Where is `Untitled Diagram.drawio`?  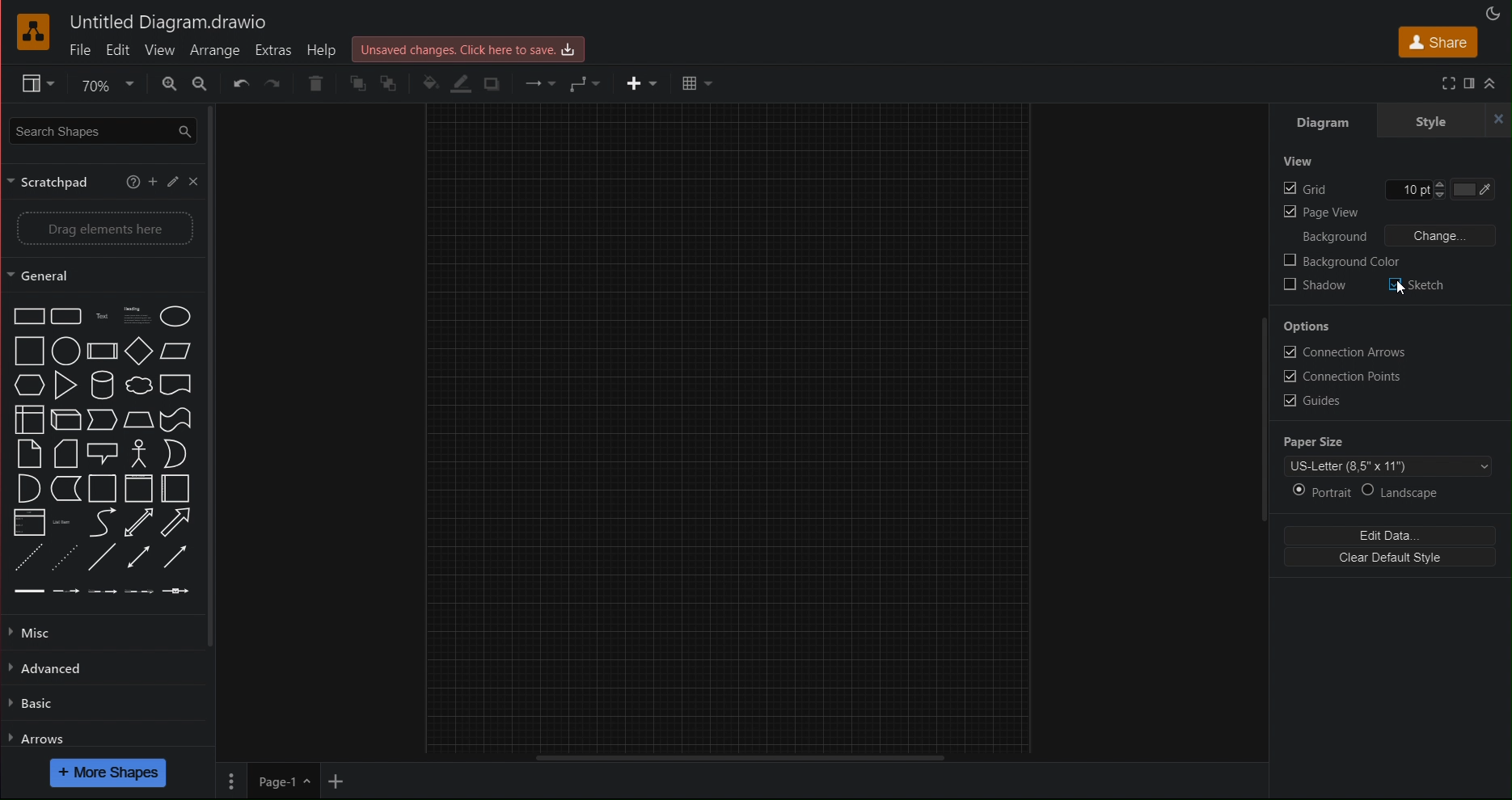
Untitled Diagram.drawio is located at coordinates (167, 22).